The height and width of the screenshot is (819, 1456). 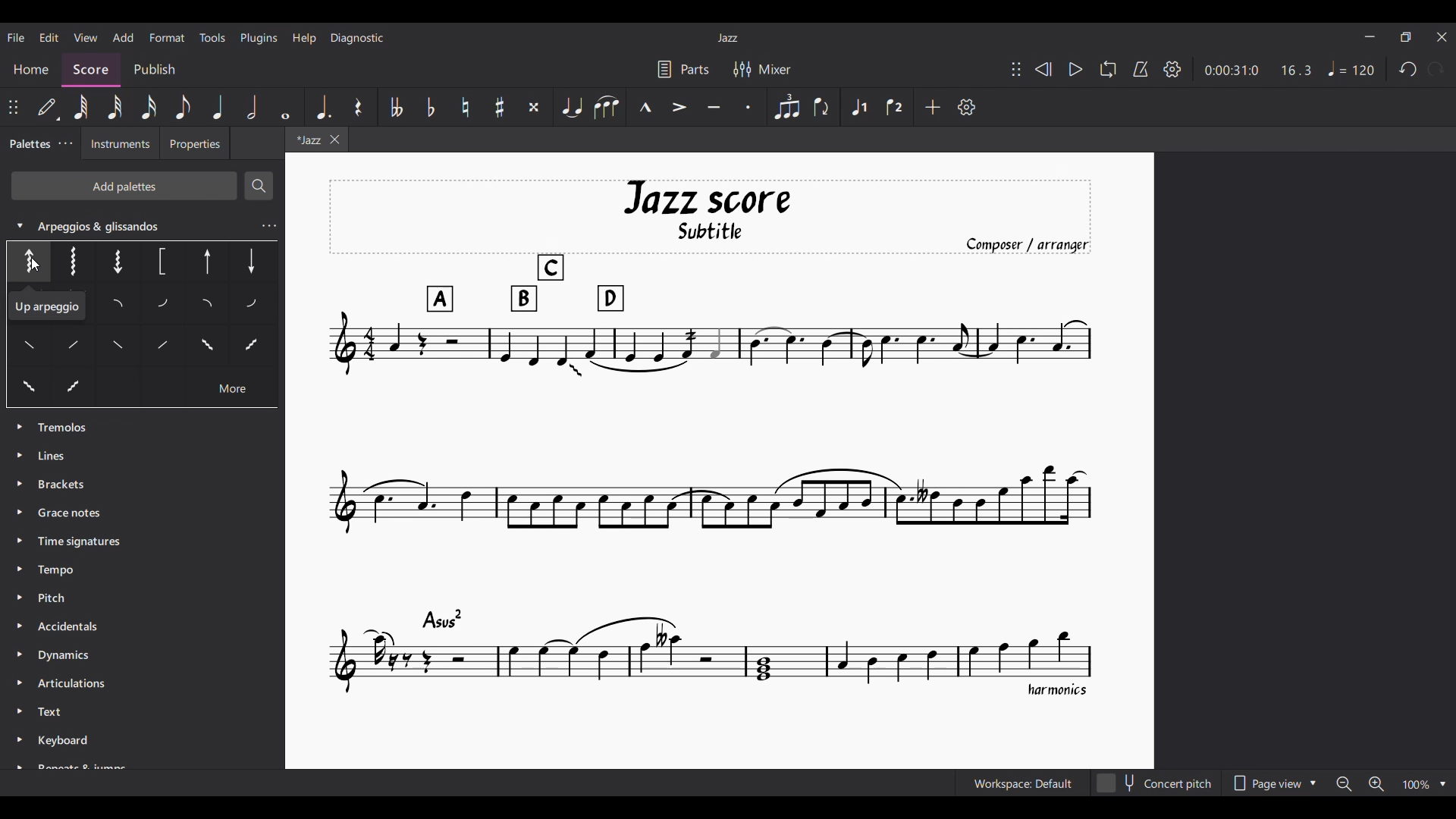 I want to click on Toggle flat, so click(x=430, y=108).